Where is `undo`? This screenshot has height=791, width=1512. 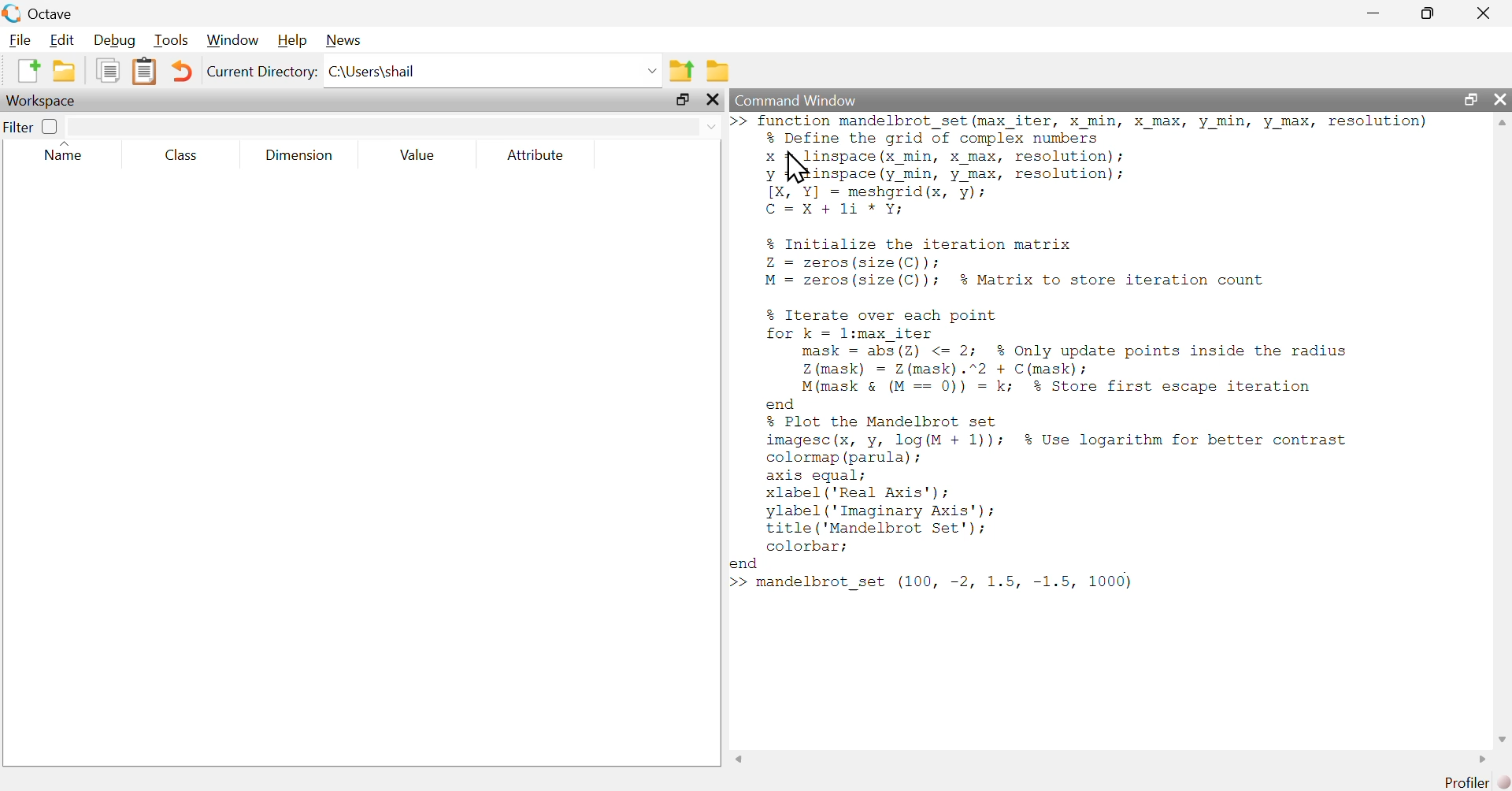 undo is located at coordinates (182, 70).